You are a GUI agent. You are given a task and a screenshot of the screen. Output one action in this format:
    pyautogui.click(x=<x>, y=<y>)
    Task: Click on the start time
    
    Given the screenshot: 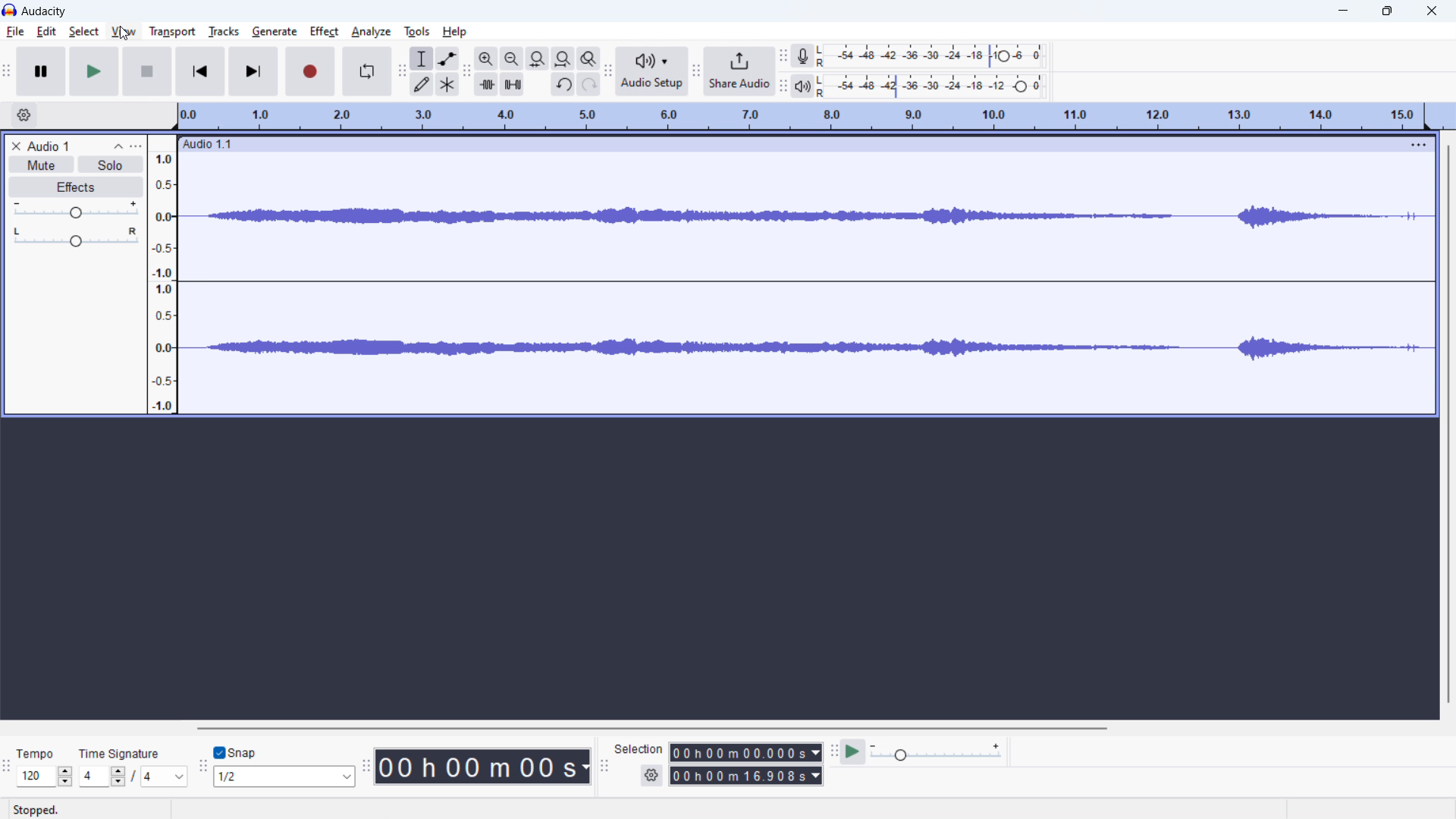 What is the action you would take?
    pyautogui.click(x=745, y=753)
    